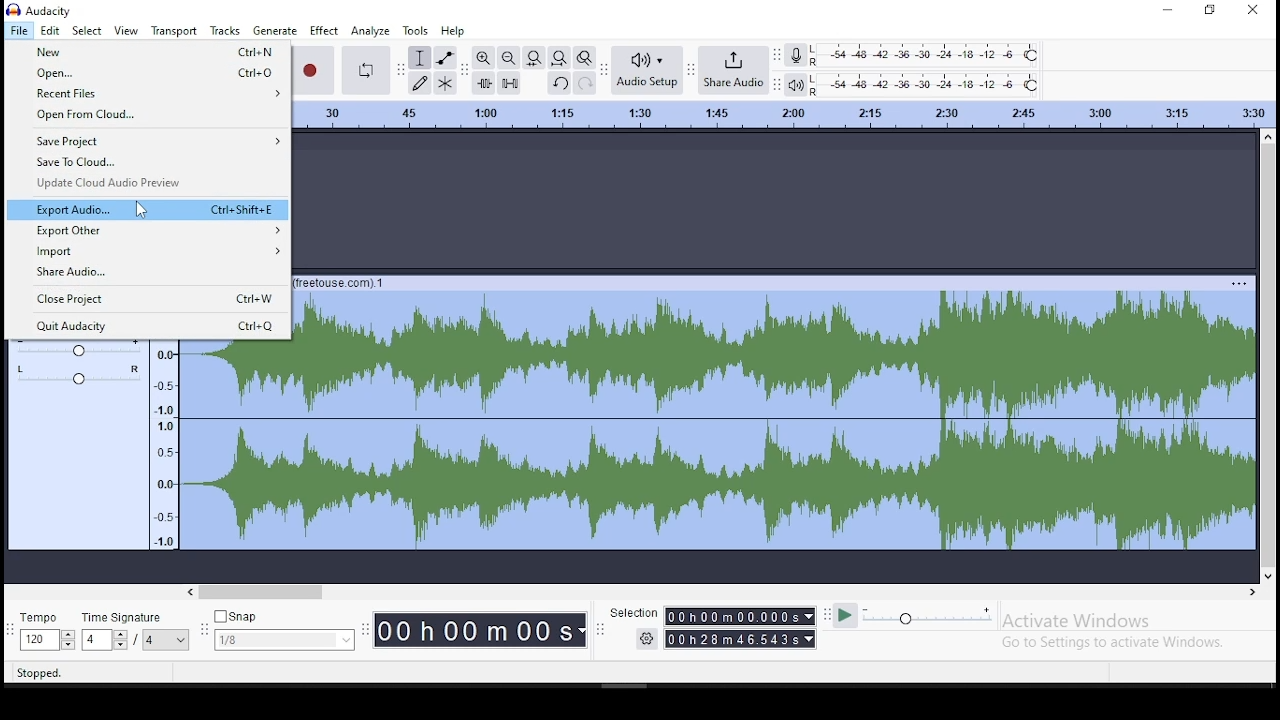 The height and width of the screenshot is (720, 1280). What do you see at coordinates (39, 674) in the screenshot?
I see `Stopped` at bounding box center [39, 674].